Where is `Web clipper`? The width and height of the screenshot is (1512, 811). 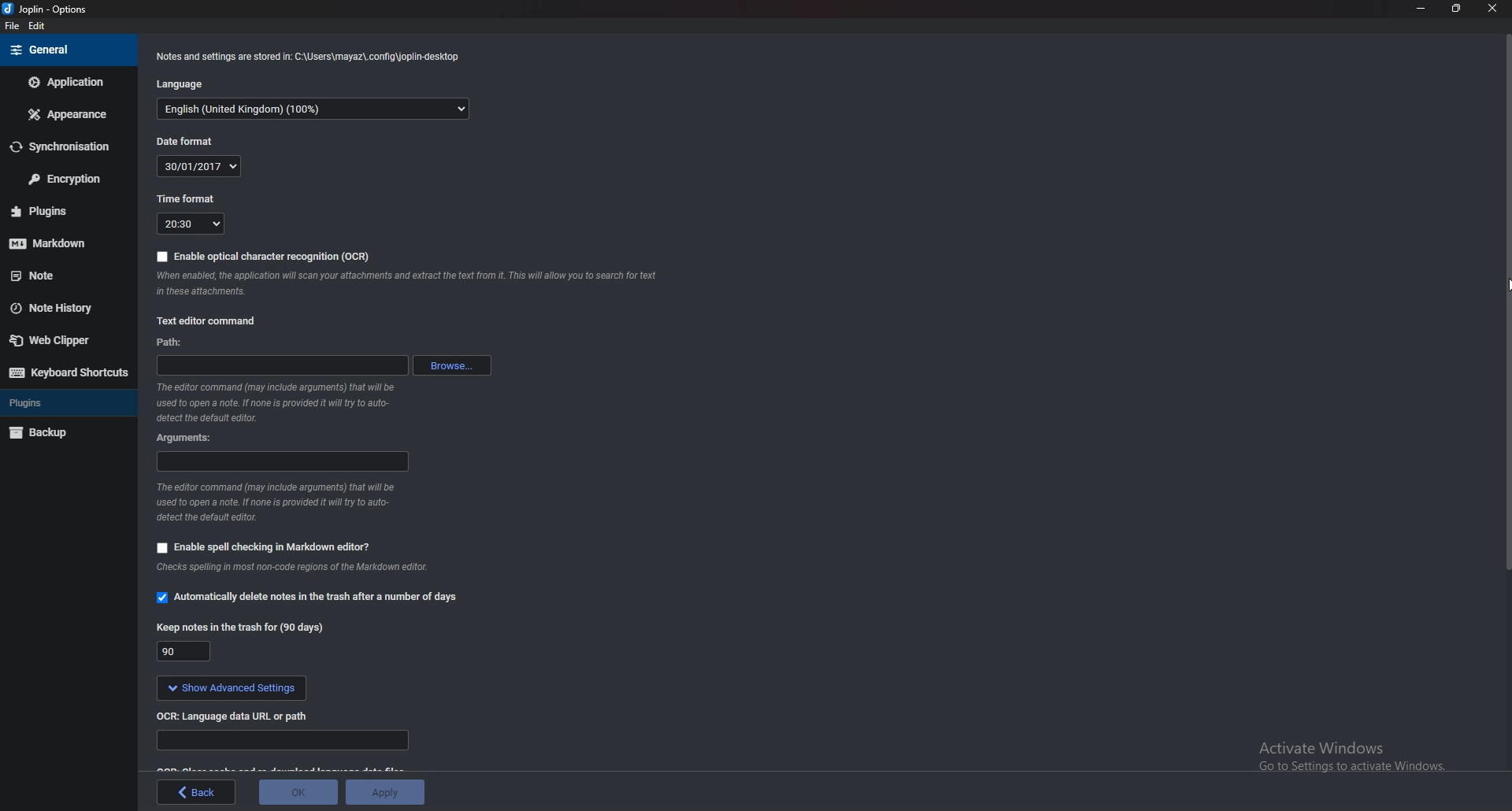
Web clipper is located at coordinates (61, 340).